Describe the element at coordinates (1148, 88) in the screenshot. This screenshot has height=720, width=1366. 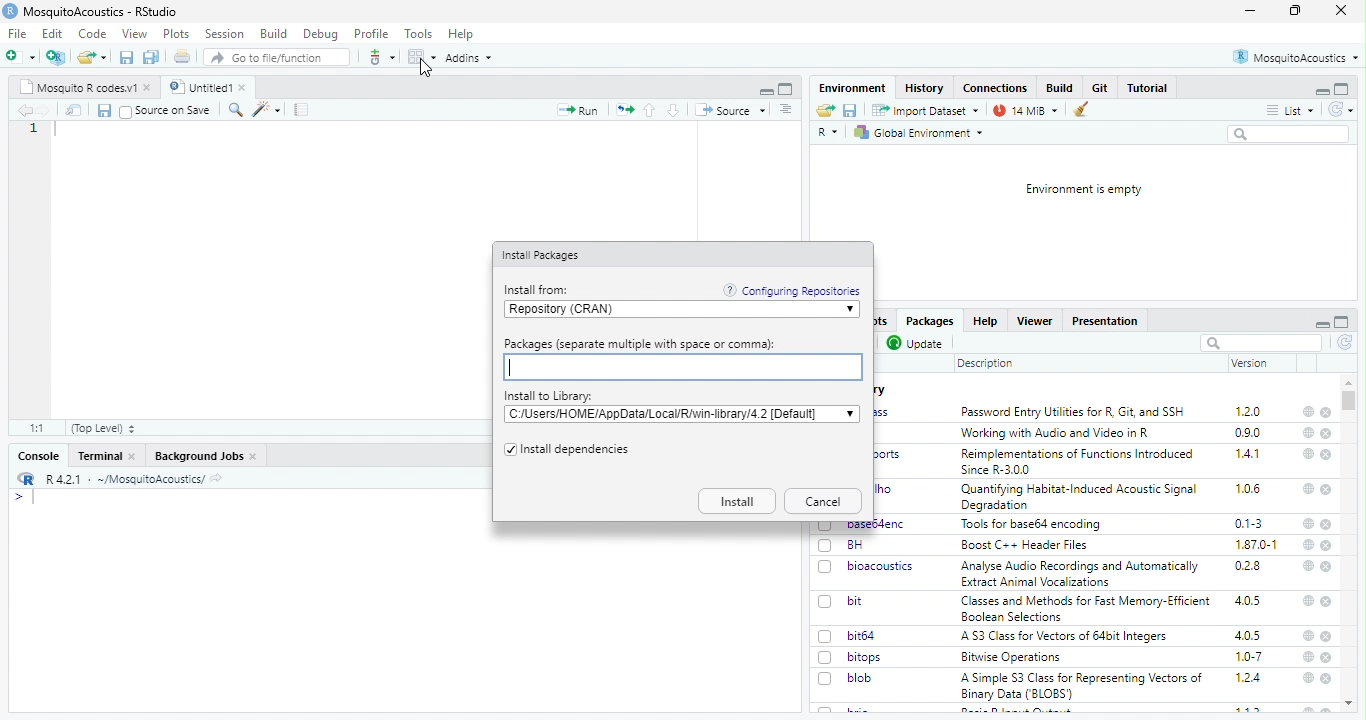
I see `Tutorial` at that location.